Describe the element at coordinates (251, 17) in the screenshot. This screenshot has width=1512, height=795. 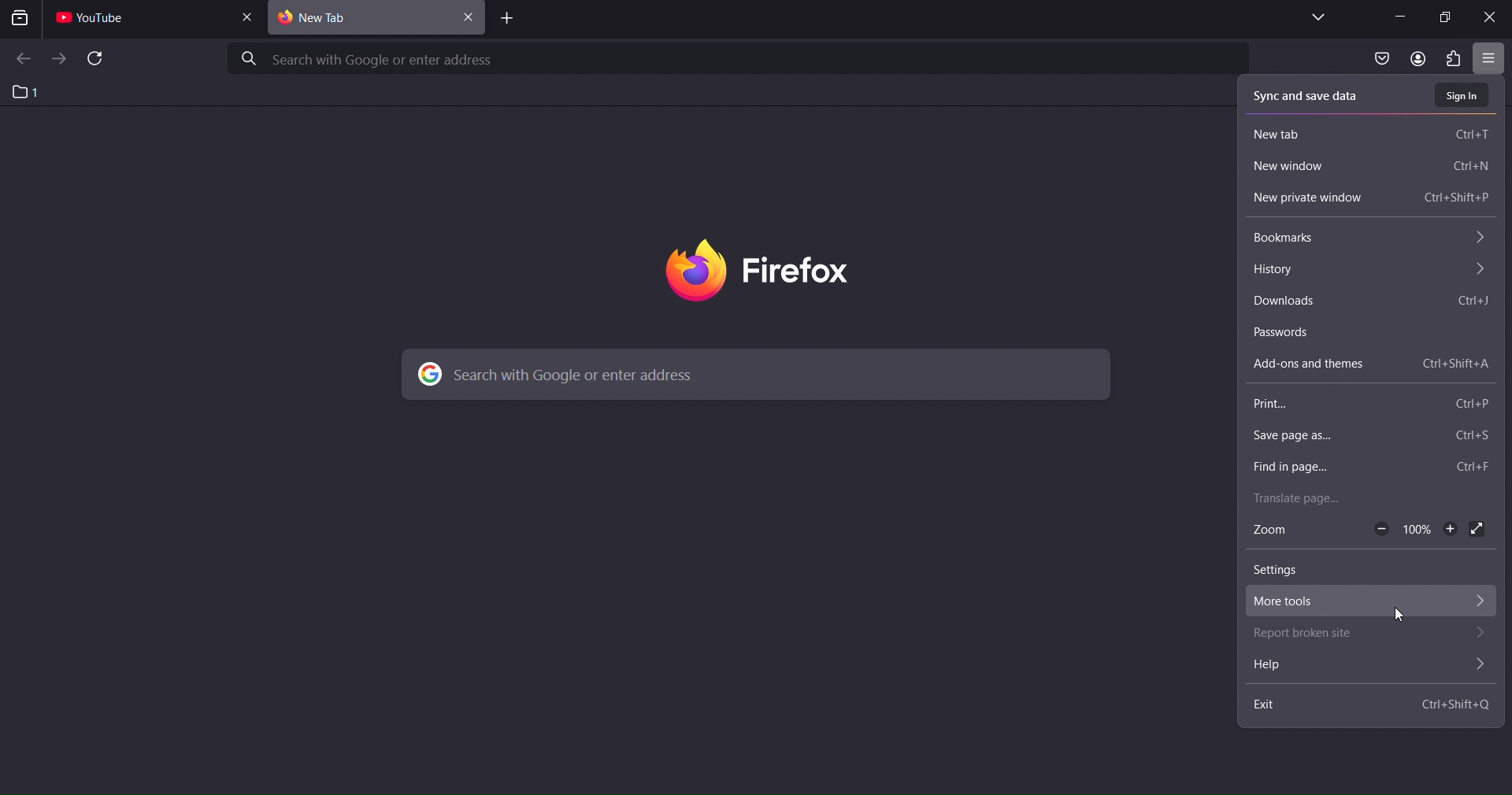
I see `close page` at that location.